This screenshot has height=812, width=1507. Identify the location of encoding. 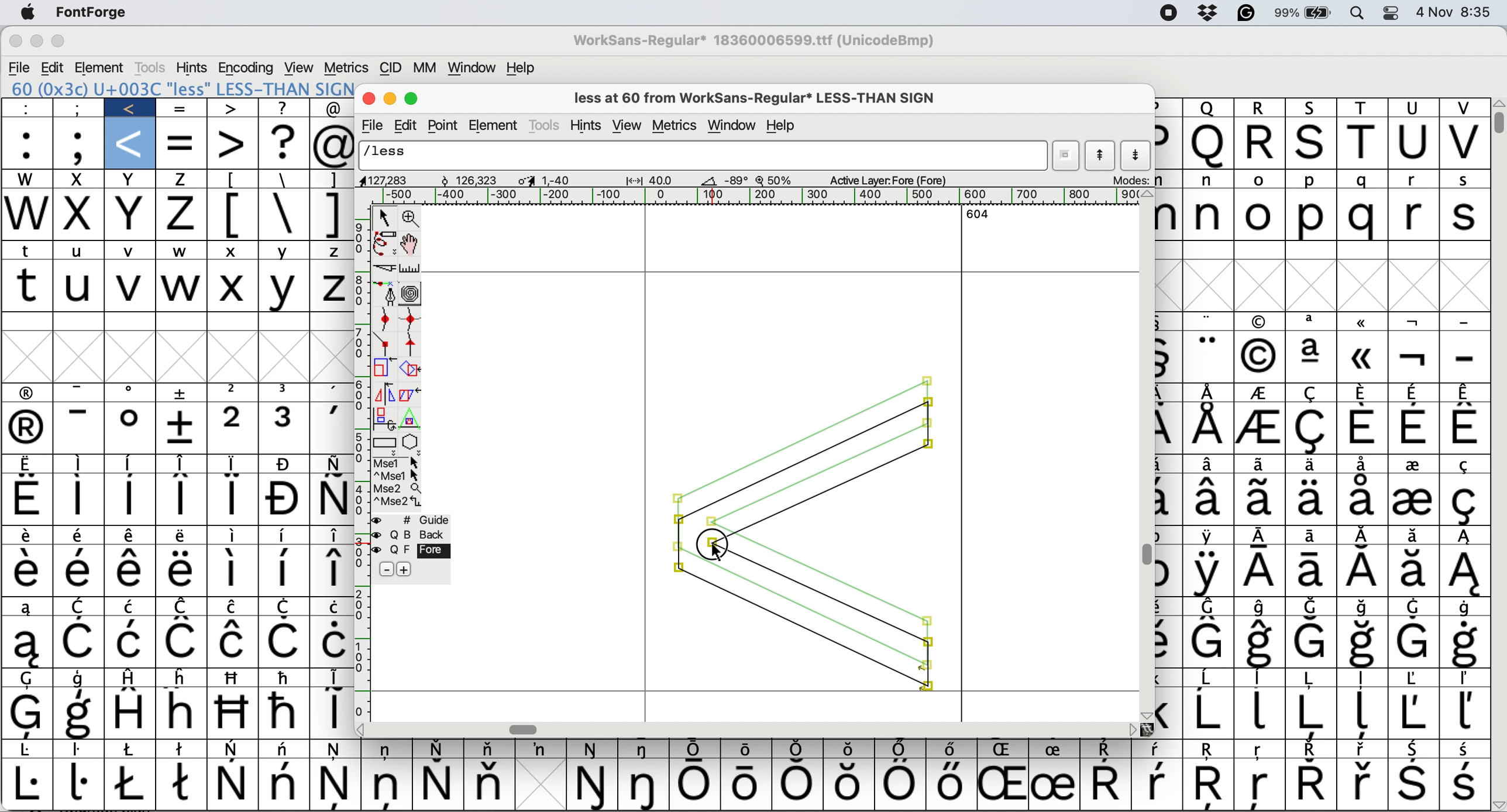
(247, 67).